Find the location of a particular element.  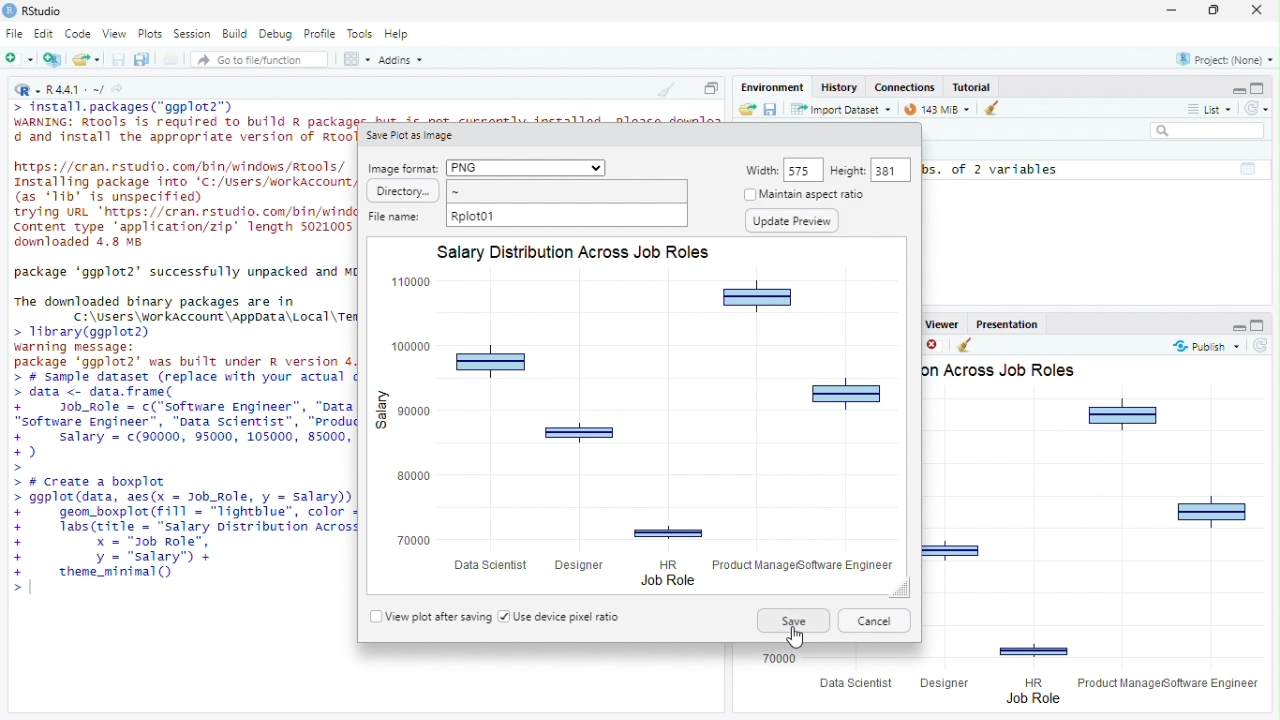

Image format is located at coordinates (486, 168).